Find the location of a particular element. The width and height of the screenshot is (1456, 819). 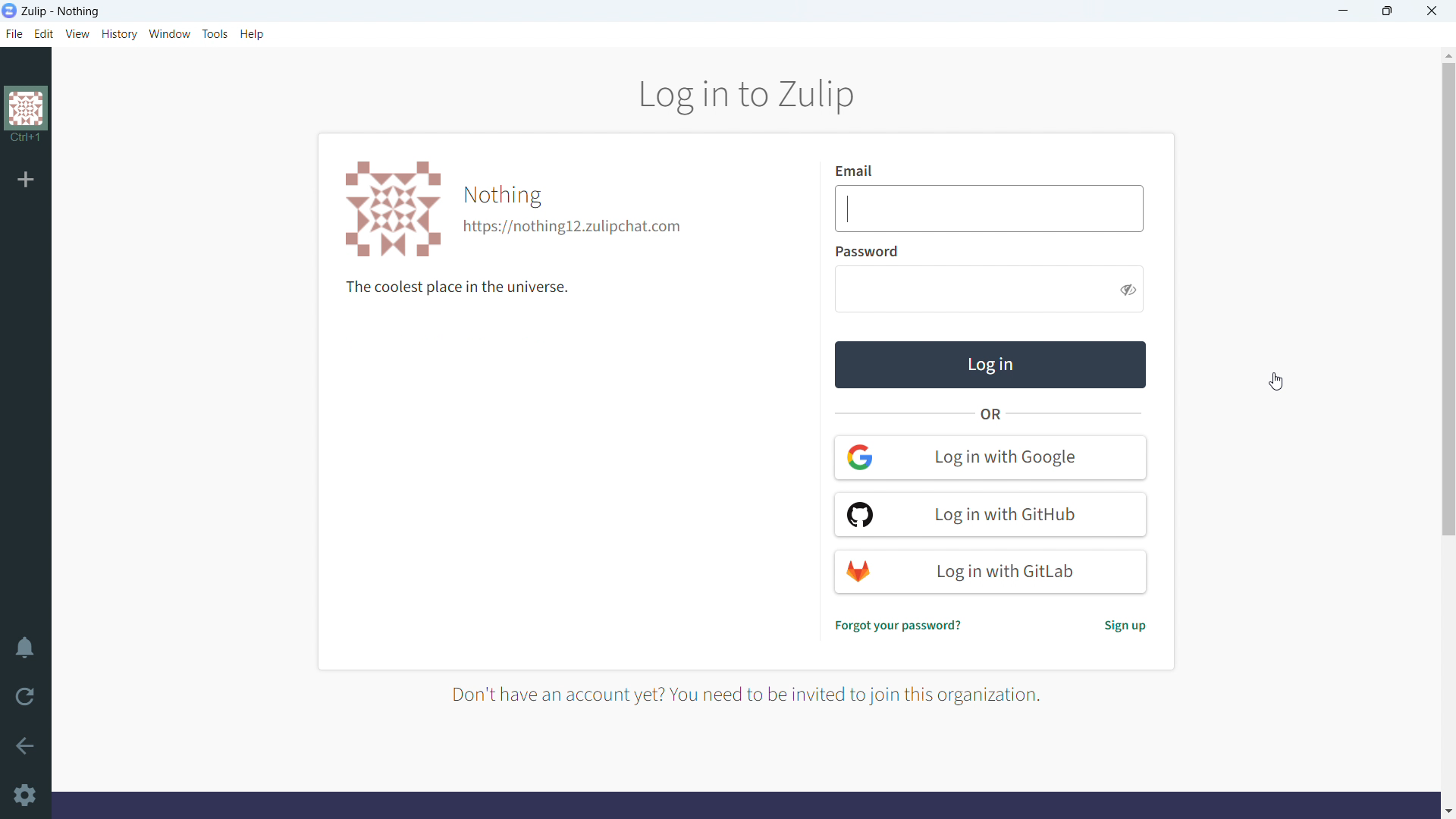

on screen message is located at coordinates (759, 694).